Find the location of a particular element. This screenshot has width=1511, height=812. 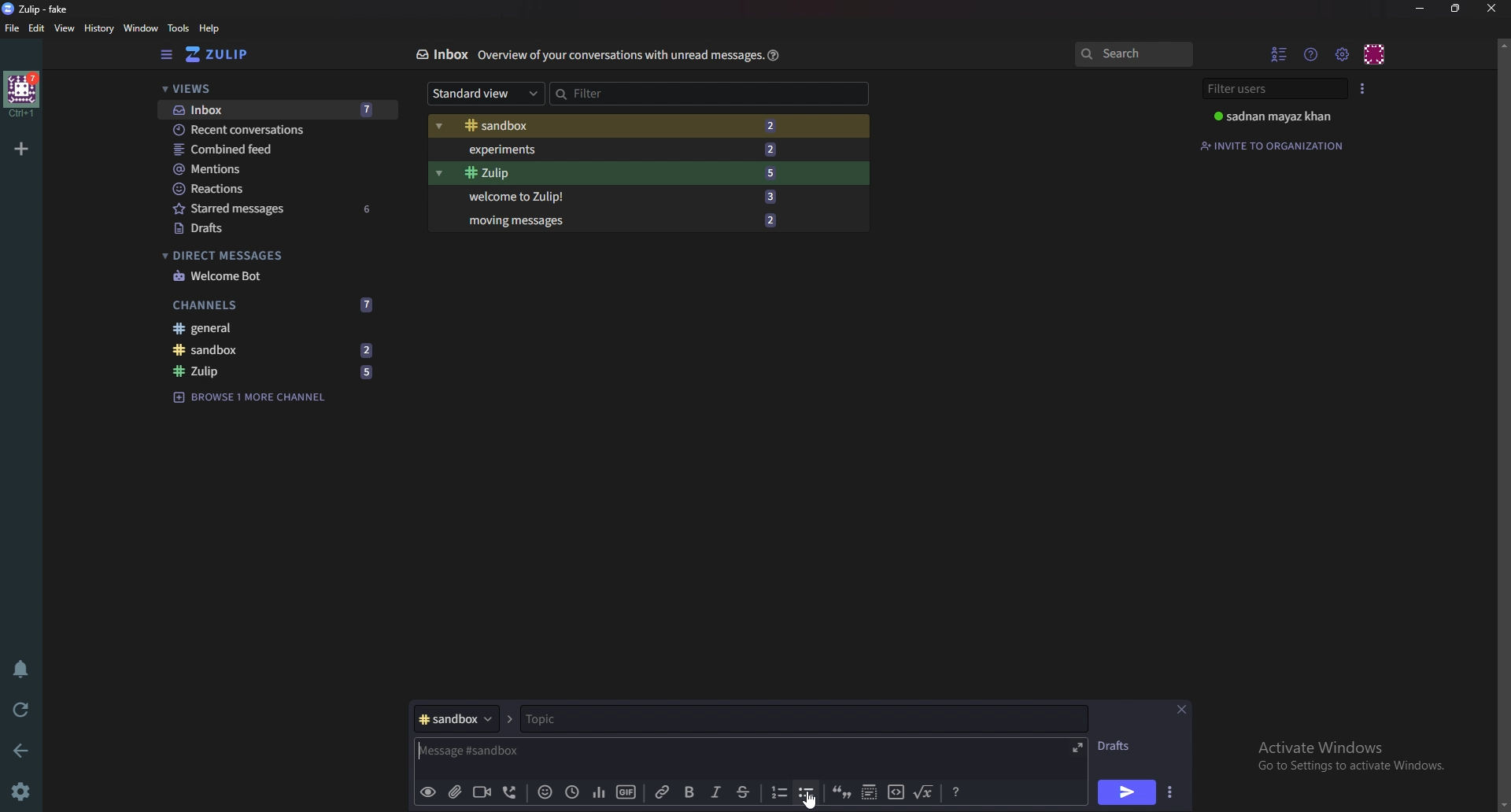

Starred messages is located at coordinates (278, 208).